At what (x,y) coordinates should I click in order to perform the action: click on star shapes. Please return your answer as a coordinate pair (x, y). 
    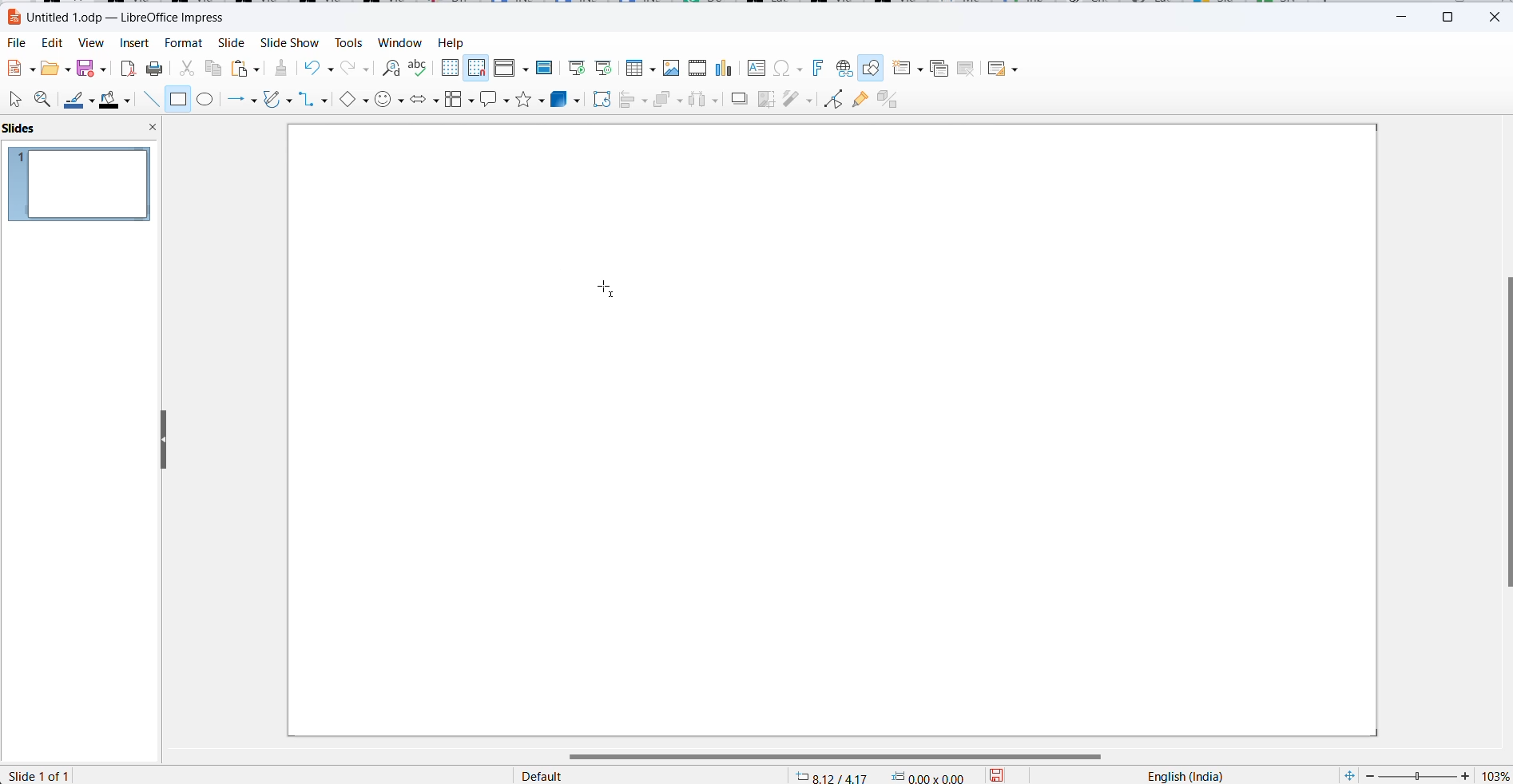
    Looking at the image, I should click on (530, 100).